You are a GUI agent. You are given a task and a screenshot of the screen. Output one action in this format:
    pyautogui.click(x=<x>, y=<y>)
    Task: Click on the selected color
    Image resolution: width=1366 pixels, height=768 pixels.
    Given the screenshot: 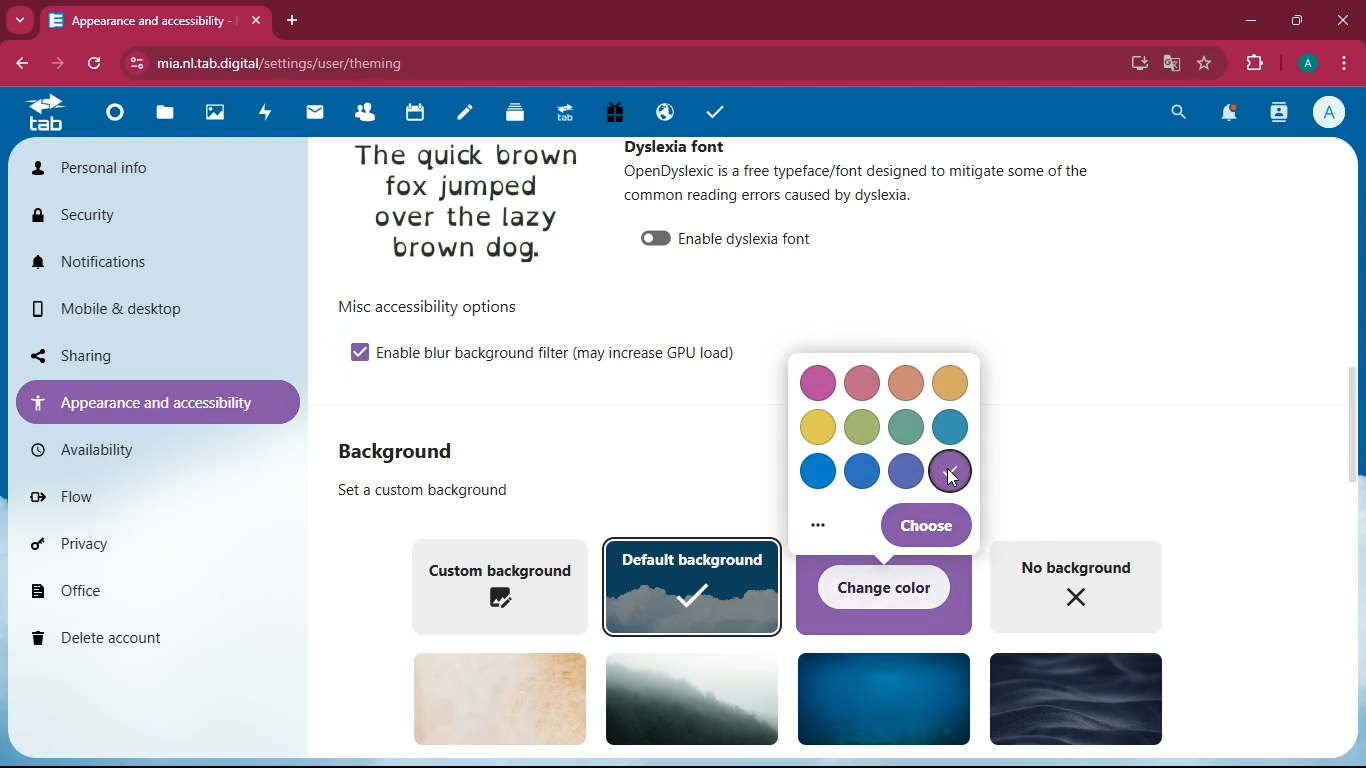 What is the action you would take?
    pyautogui.click(x=951, y=473)
    